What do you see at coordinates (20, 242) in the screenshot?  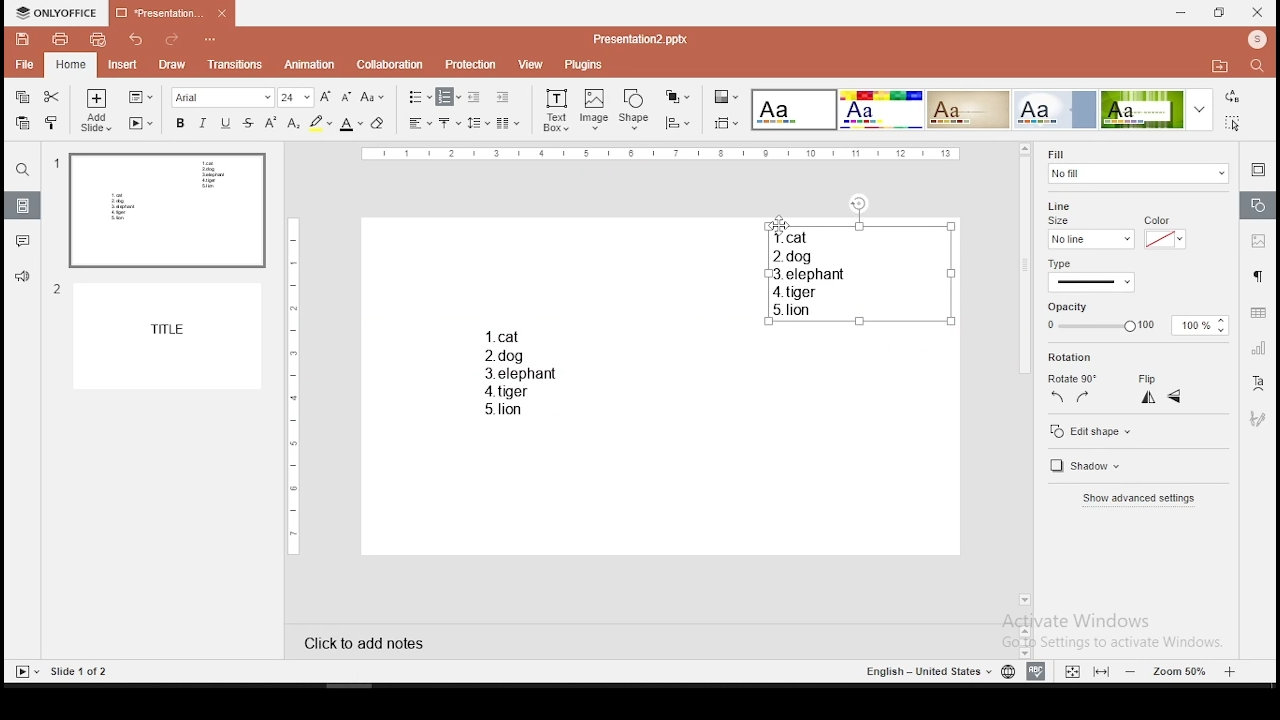 I see `comments` at bounding box center [20, 242].